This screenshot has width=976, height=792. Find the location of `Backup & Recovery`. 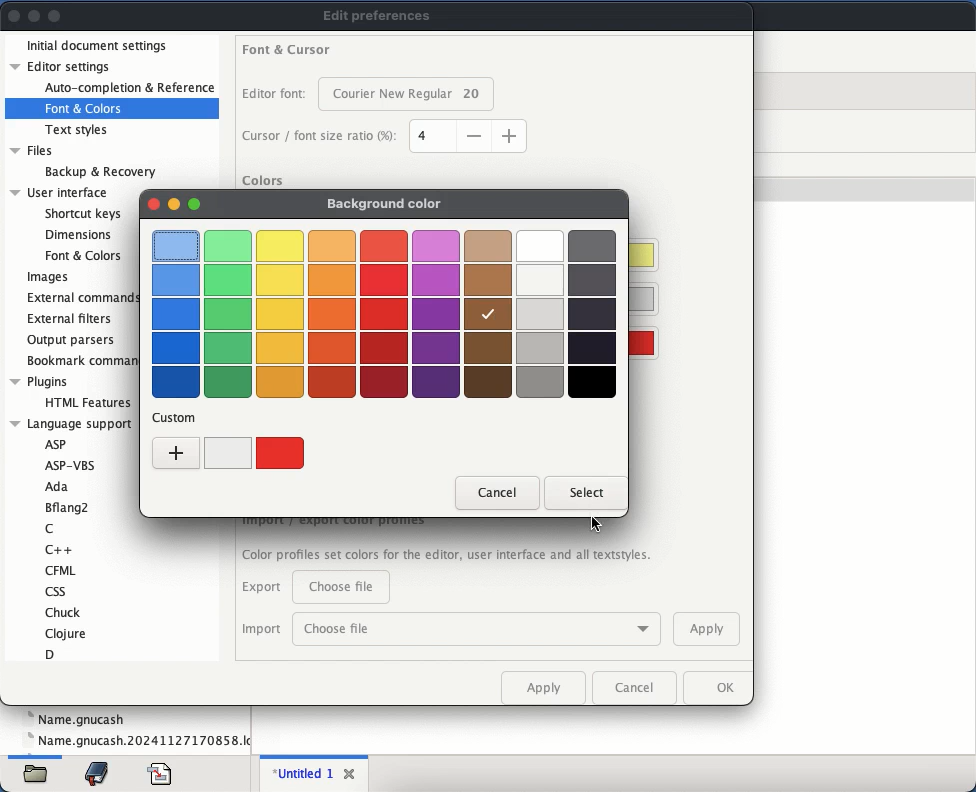

Backup & Recovery is located at coordinates (100, 171).